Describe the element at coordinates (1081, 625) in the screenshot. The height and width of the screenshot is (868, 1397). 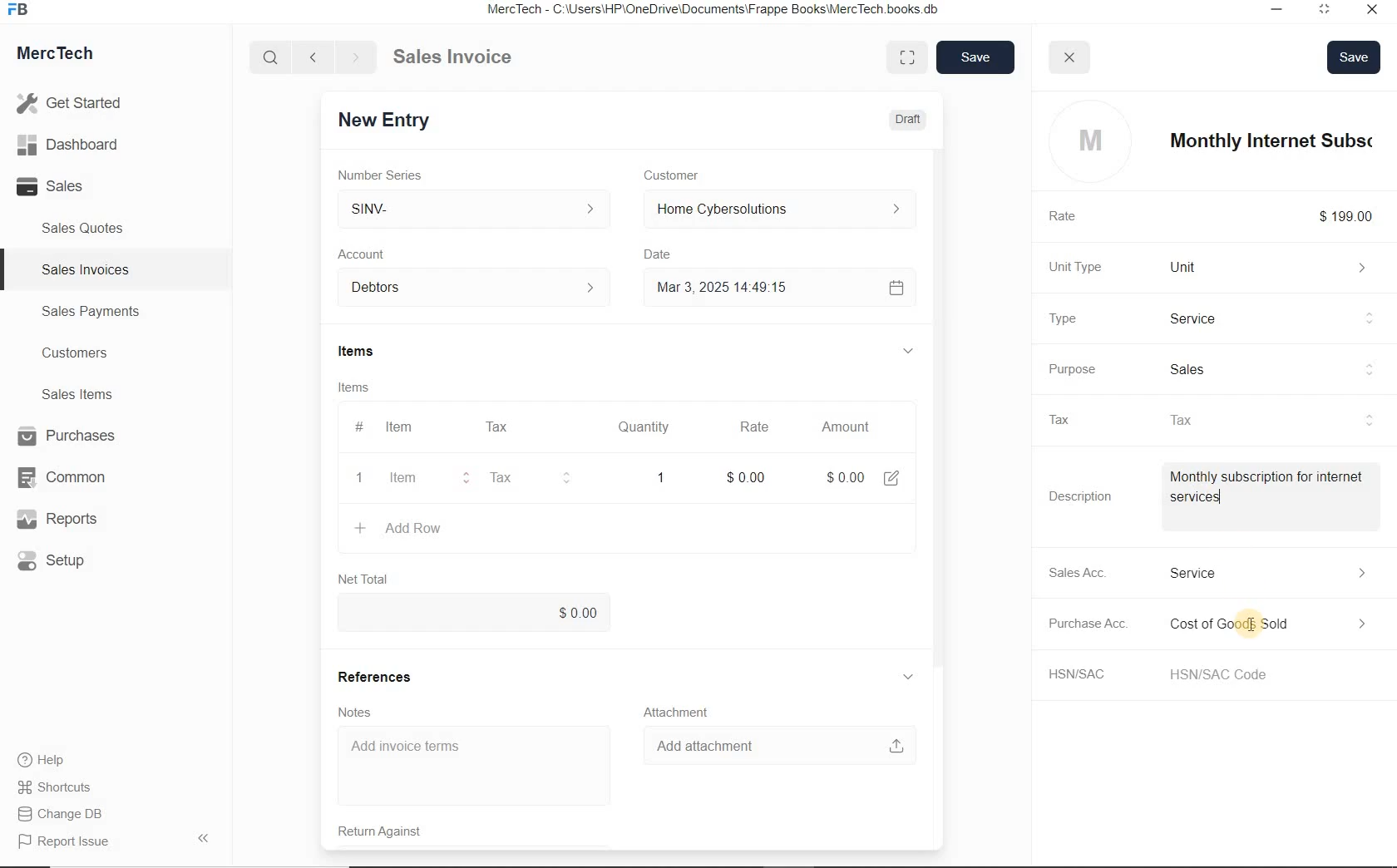
I see `Purchase Acc.` at that location.